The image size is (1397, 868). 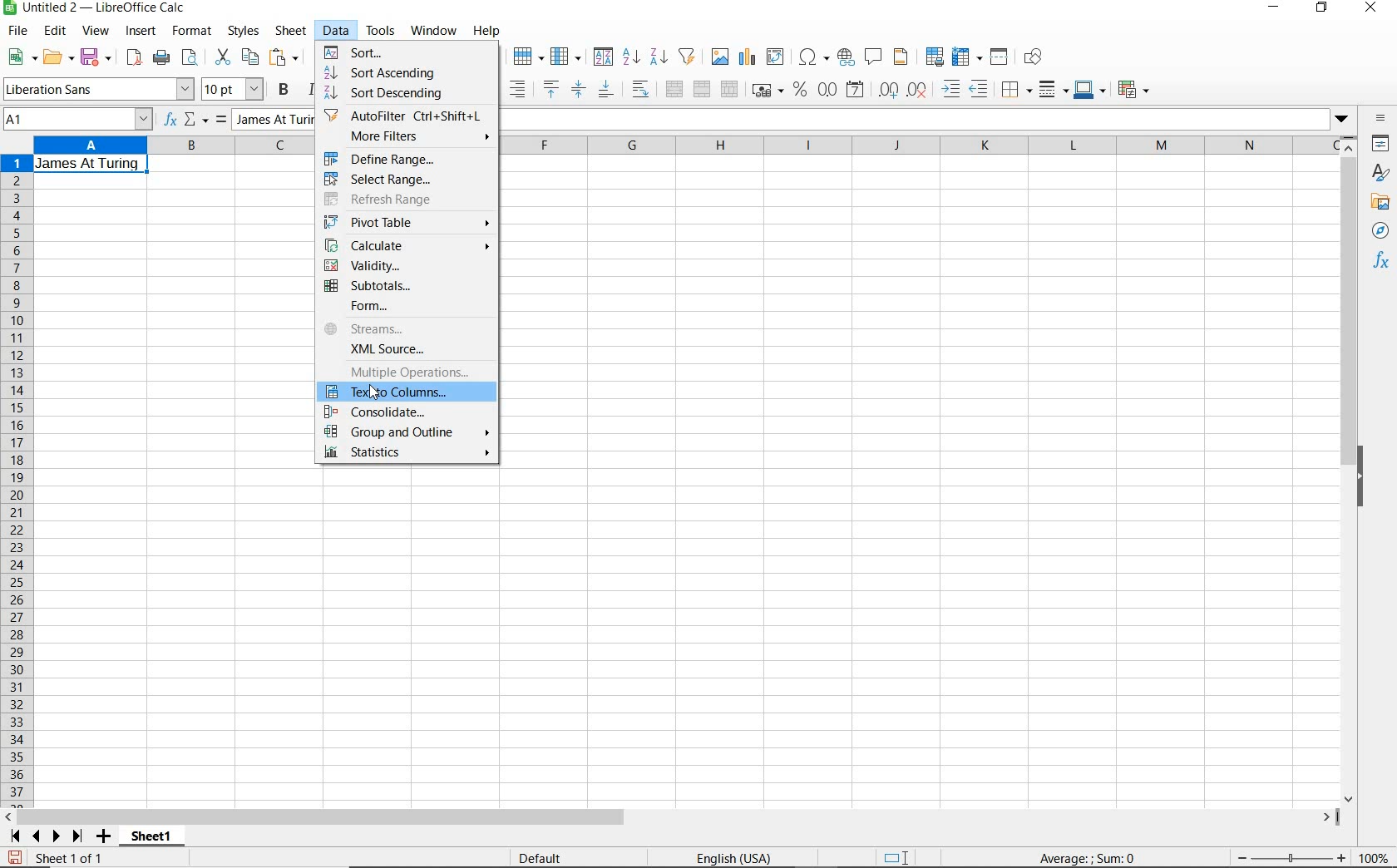 I want to click on consolidate, so click(x=402, y=414).